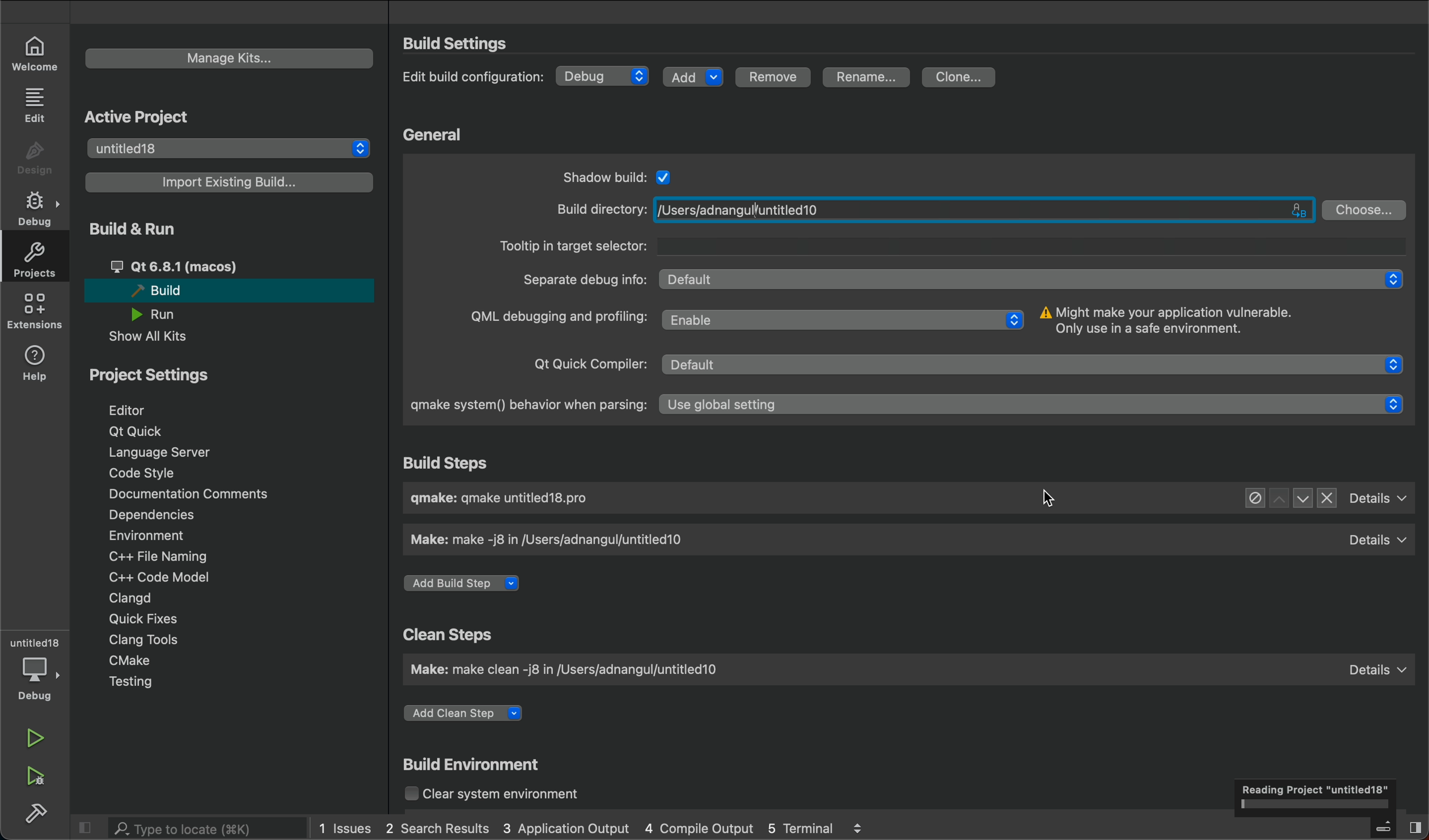  What do you see at coordinates (137, 230) in the screenshot?
I see `build and run` at bounding box center [137, 230].